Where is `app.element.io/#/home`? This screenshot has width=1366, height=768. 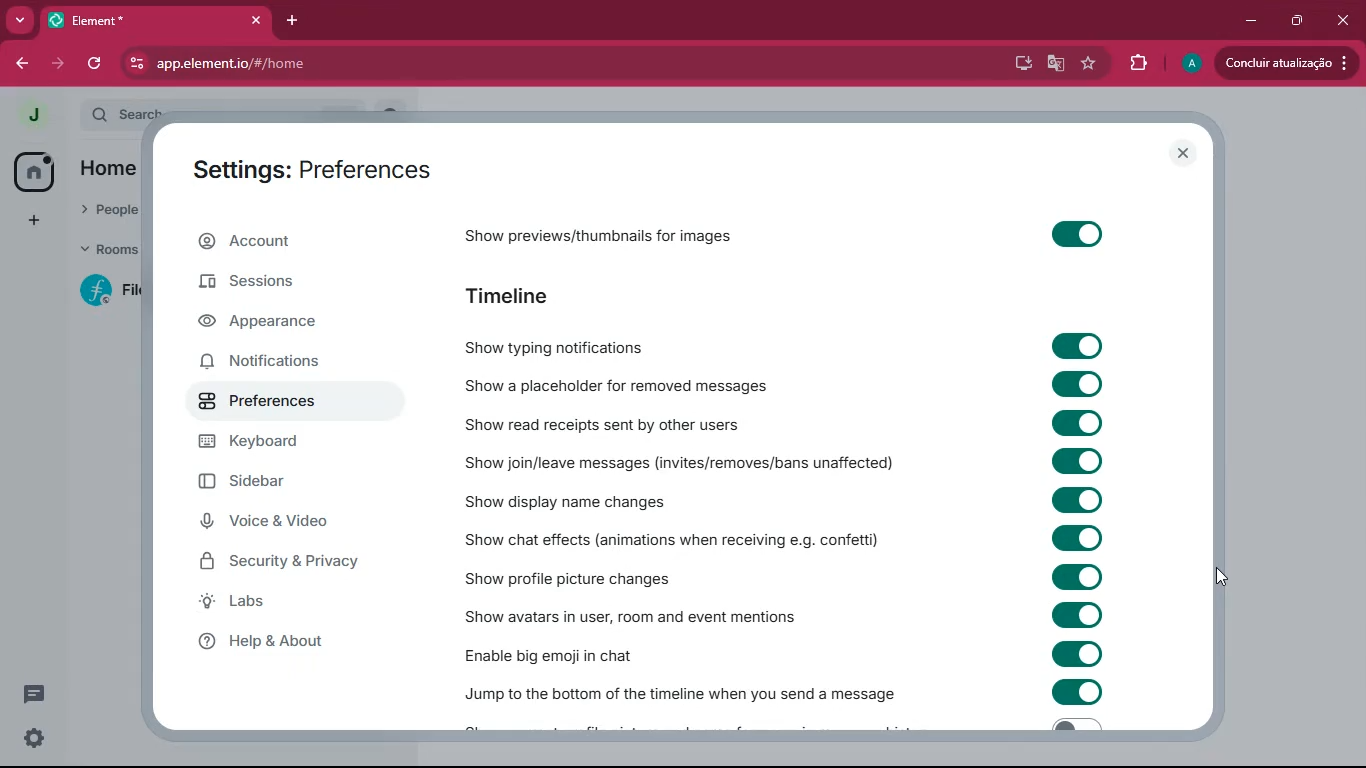
app.element.io/#/home is located at coordinates (495, 65).